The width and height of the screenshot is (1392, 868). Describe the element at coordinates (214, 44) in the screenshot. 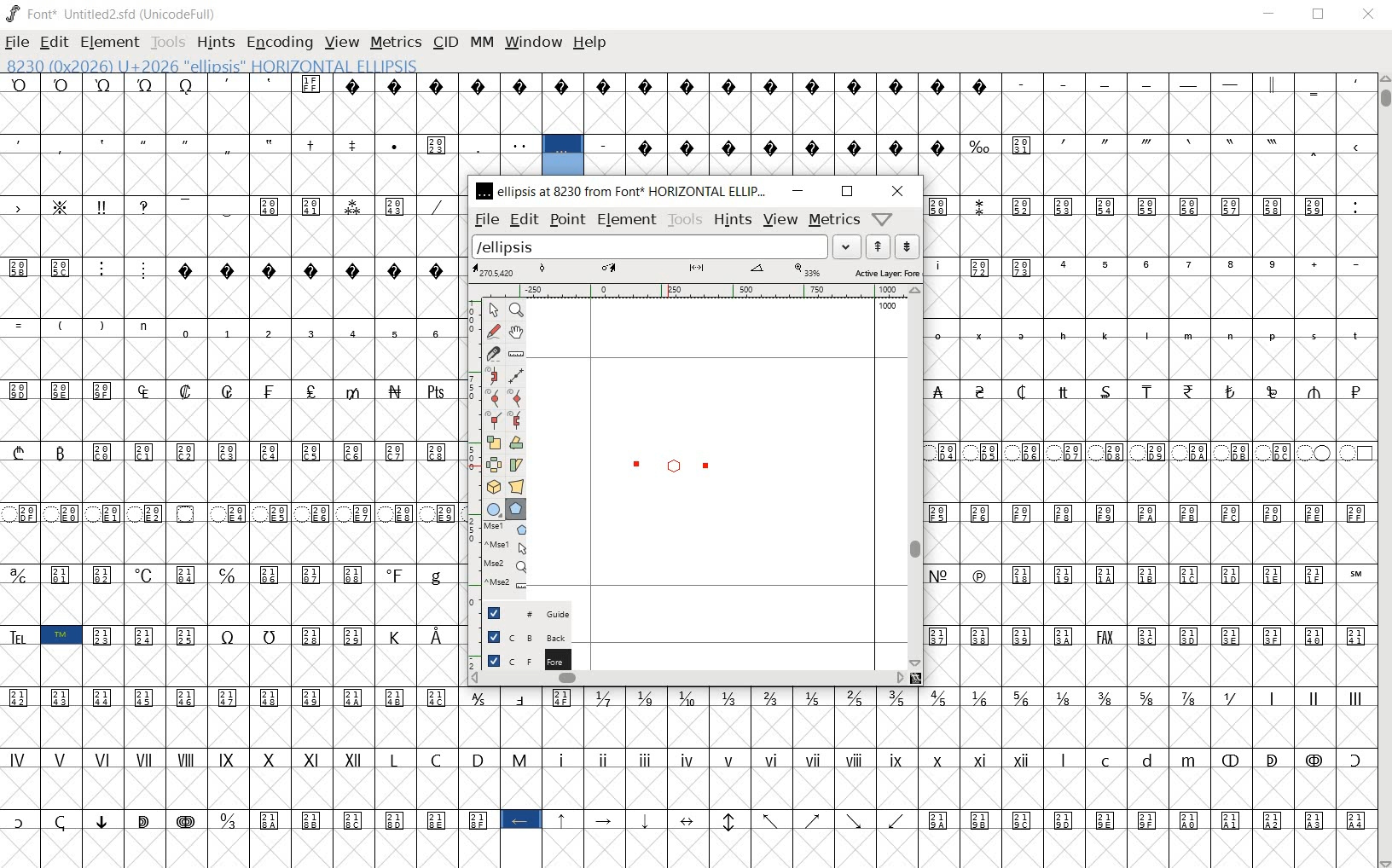

I see `HINTS` at that location.